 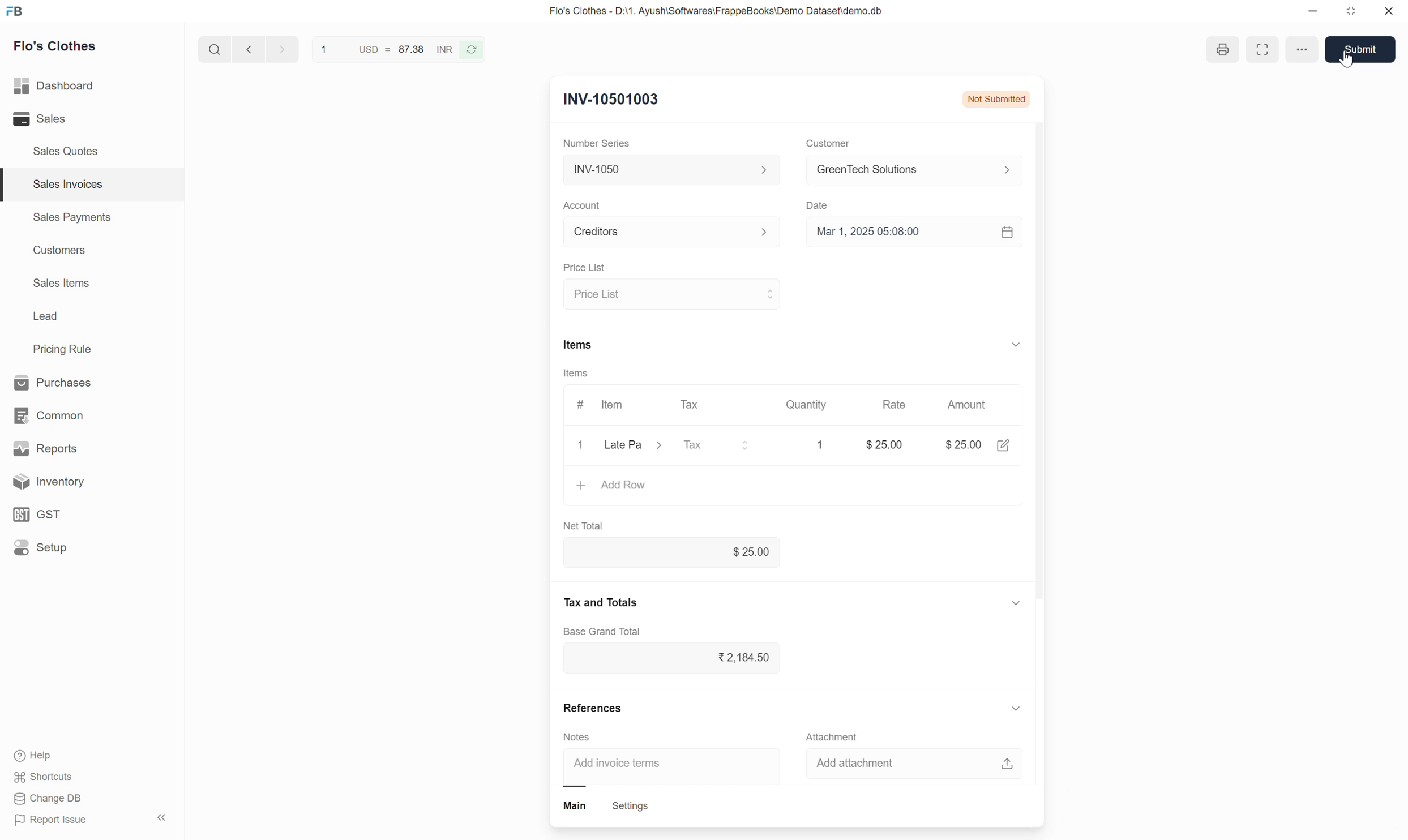 What do you see at coordinates (59, 755) in the screenshot?
I see `Help` at bounding box center [59, 755].